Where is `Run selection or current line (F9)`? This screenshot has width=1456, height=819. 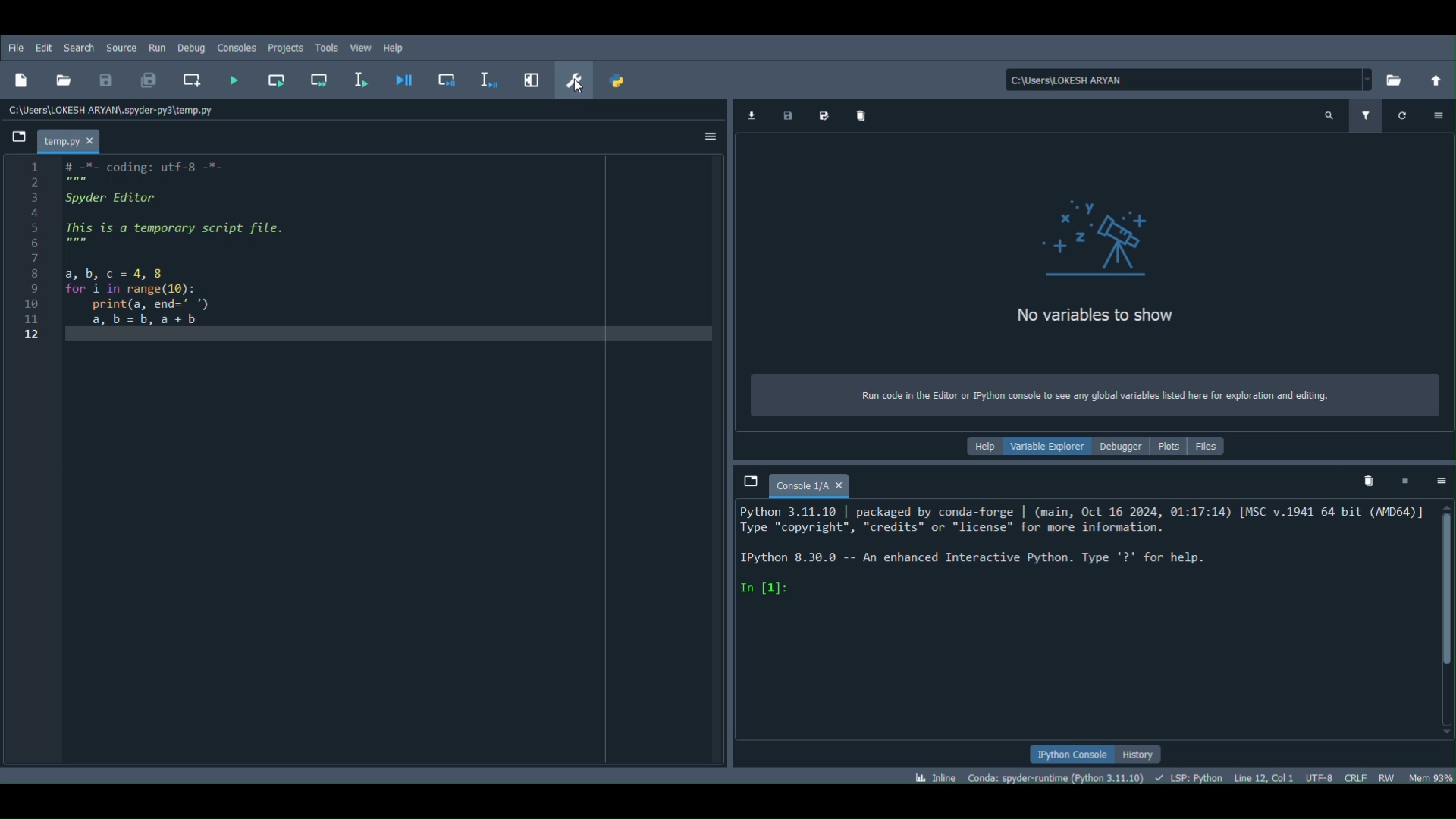
Run selection or current line (F9) is located at coordinates (358, 78).